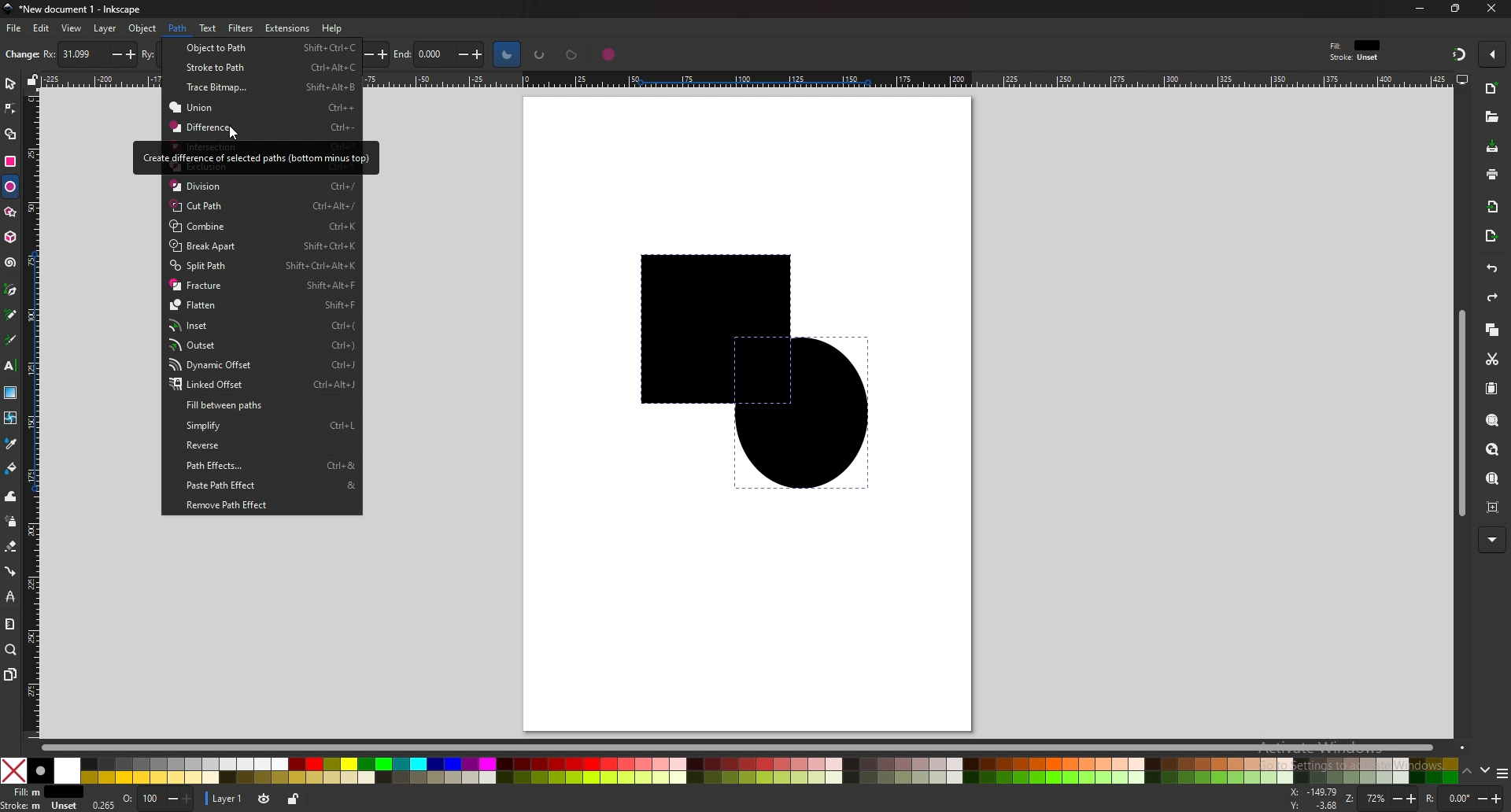  What do you see at coordinates (1421, 8) in the screenshot?
I see `minimize` at bounding box center [1421, 8].